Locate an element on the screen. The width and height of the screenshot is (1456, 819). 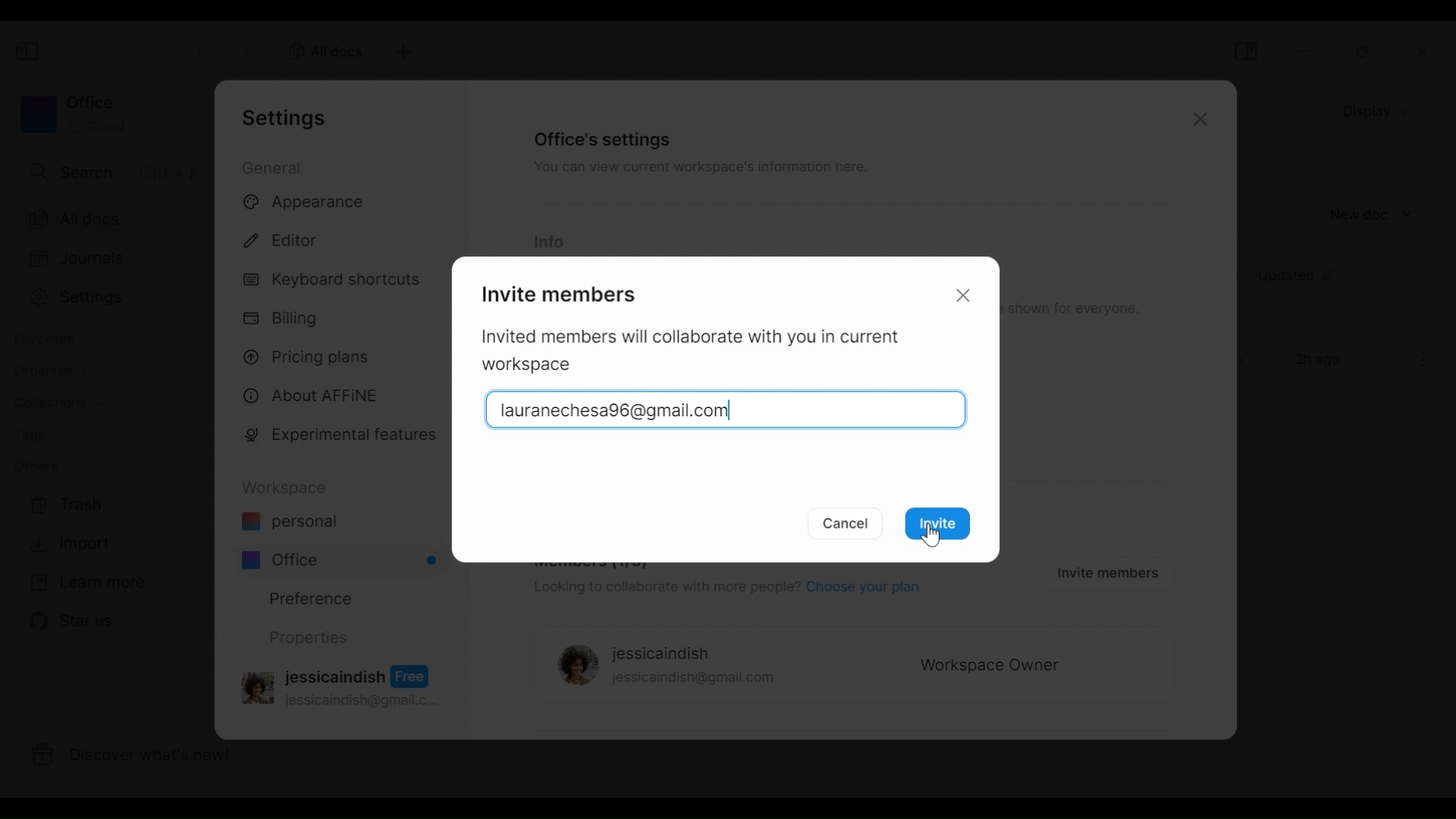
Editor is located at coordinates (287, 238).